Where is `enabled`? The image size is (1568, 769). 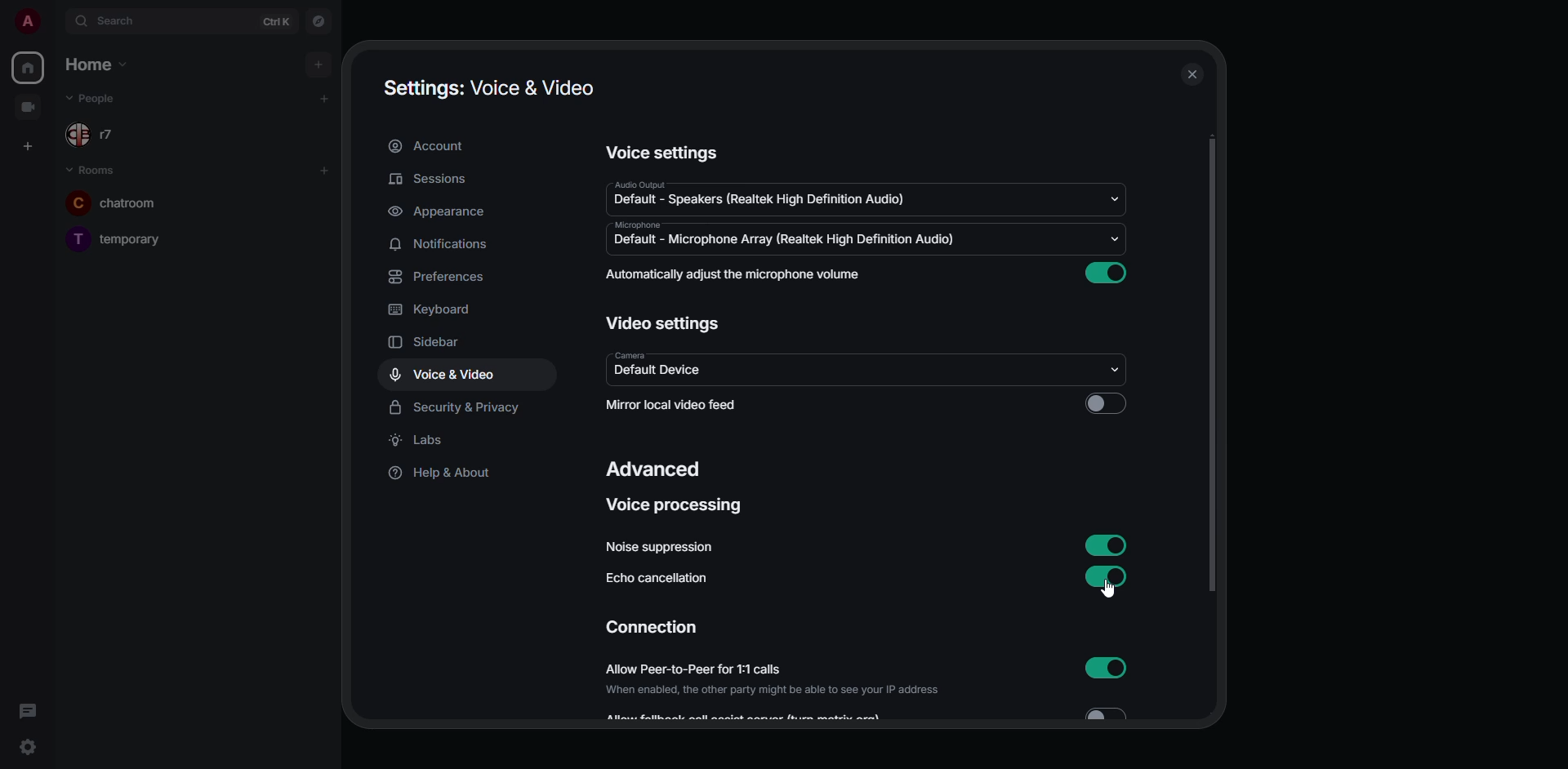
enabled is located at coordinates (1108, 667).